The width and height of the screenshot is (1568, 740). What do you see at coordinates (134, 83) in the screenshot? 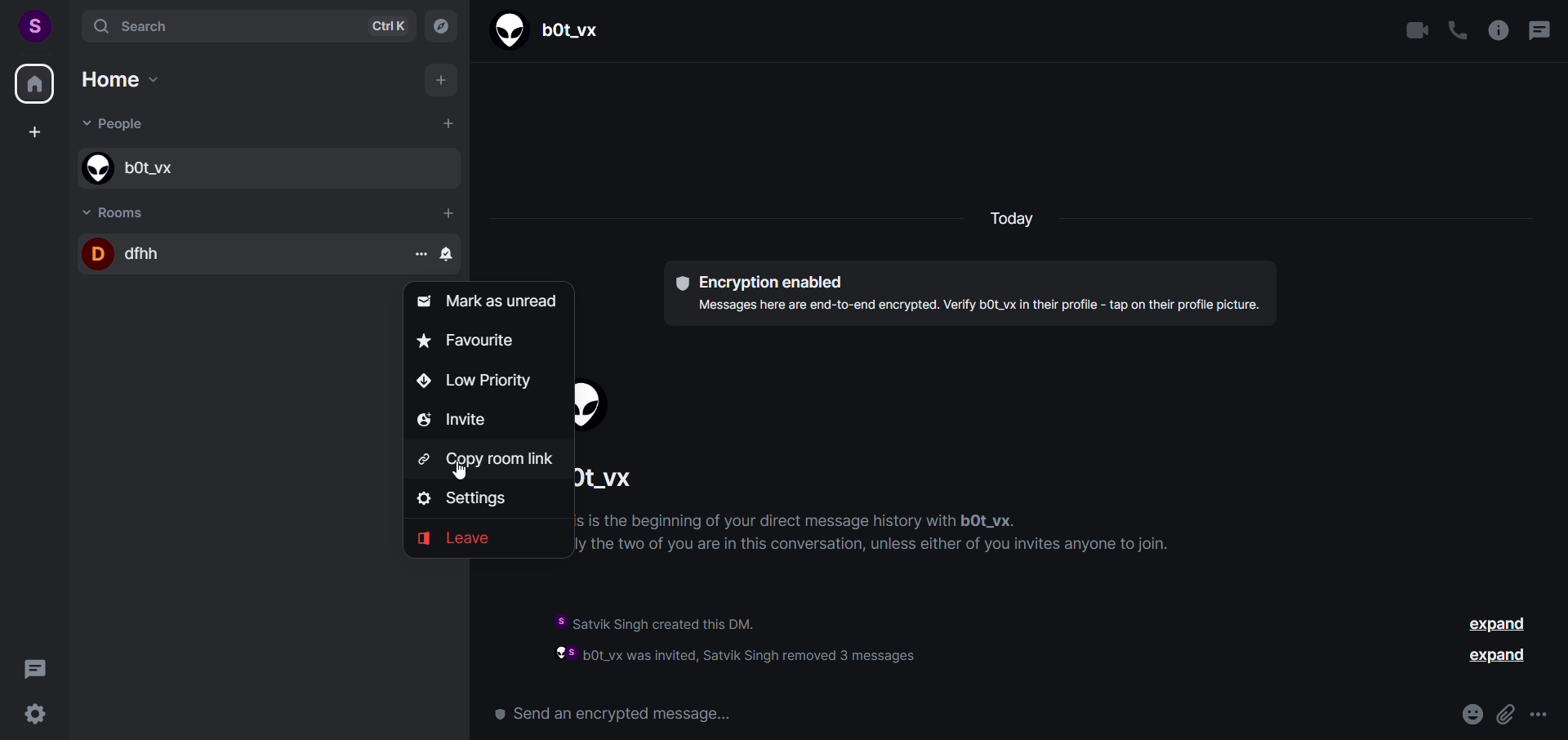
I see `home options` at bounding box center [134, 83].